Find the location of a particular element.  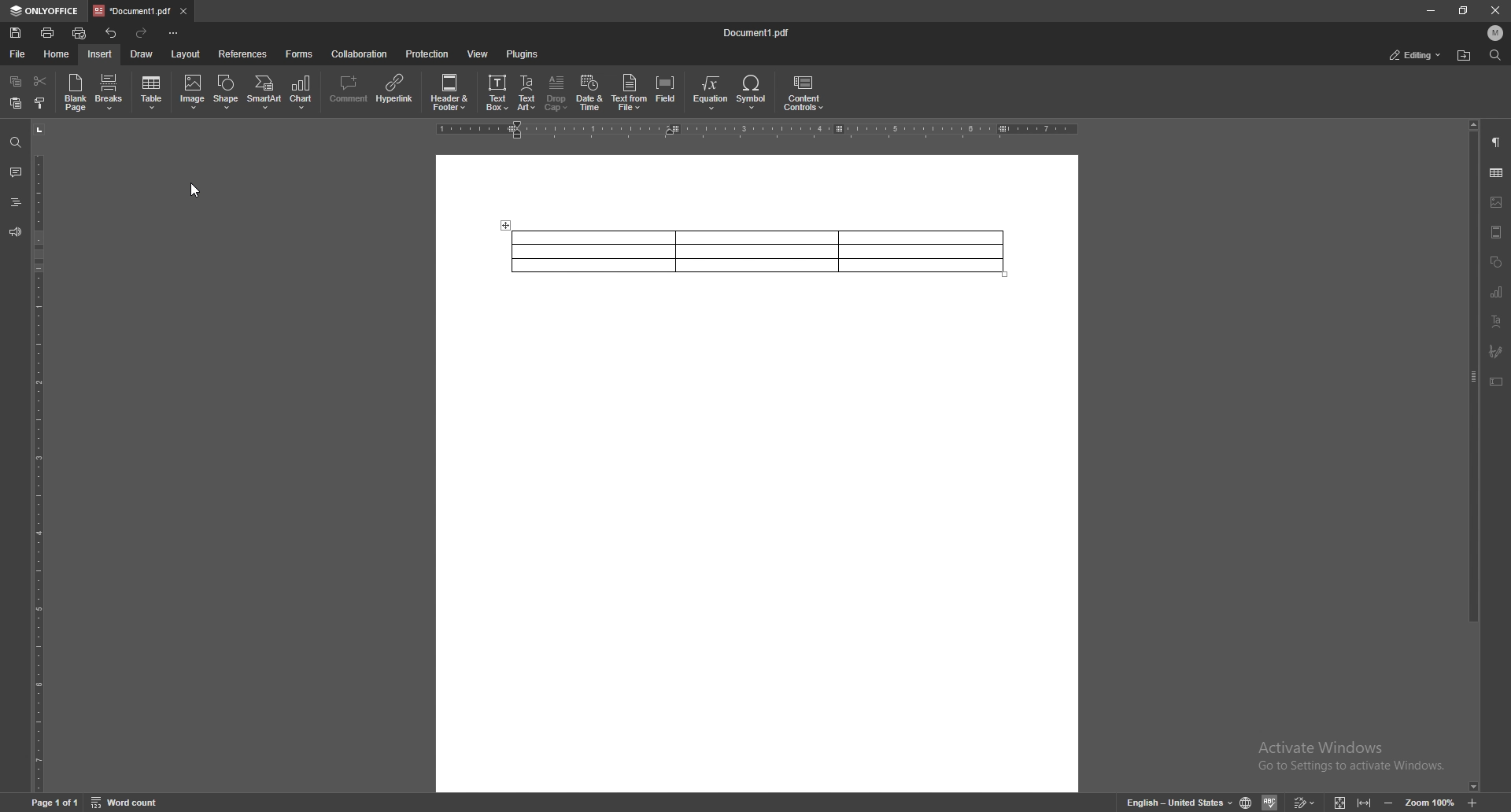

track changes is located at coordinates (1306, 802).